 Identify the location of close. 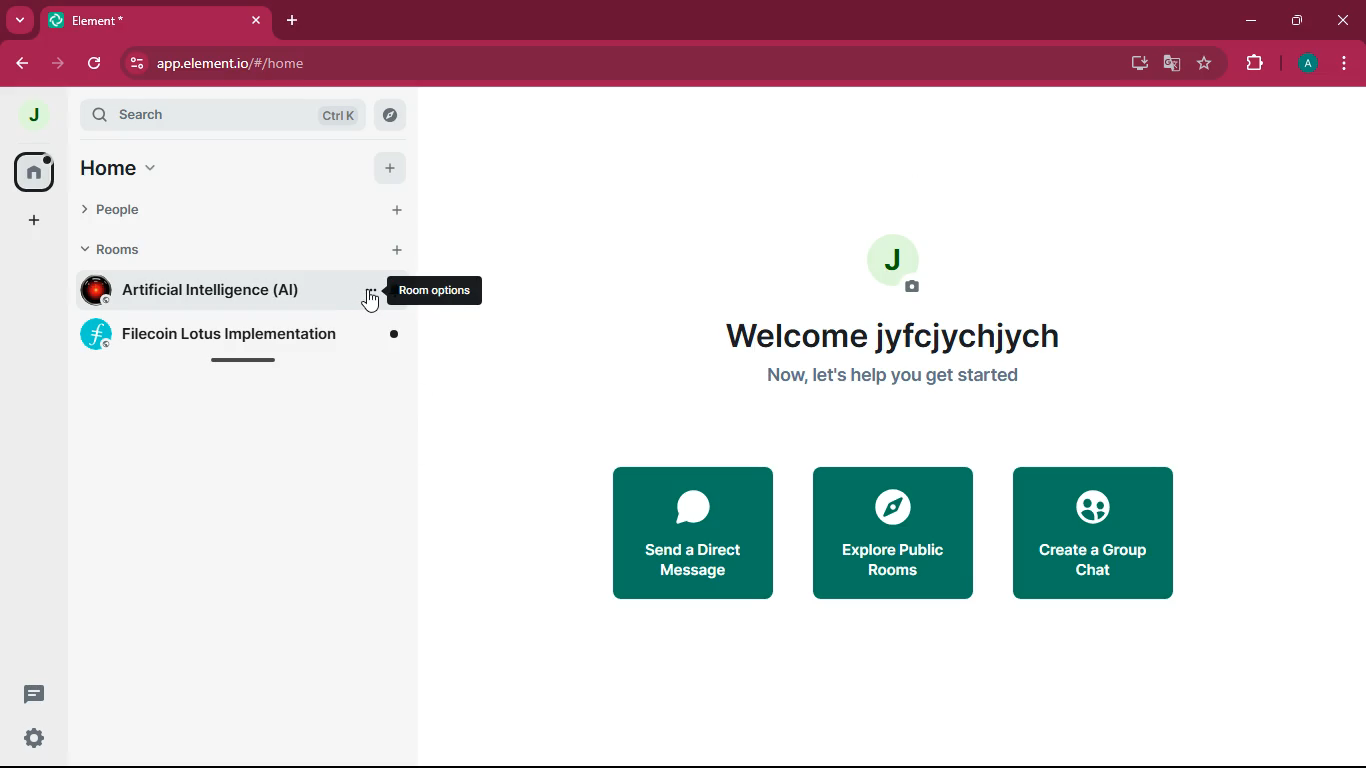
(1343, 21).